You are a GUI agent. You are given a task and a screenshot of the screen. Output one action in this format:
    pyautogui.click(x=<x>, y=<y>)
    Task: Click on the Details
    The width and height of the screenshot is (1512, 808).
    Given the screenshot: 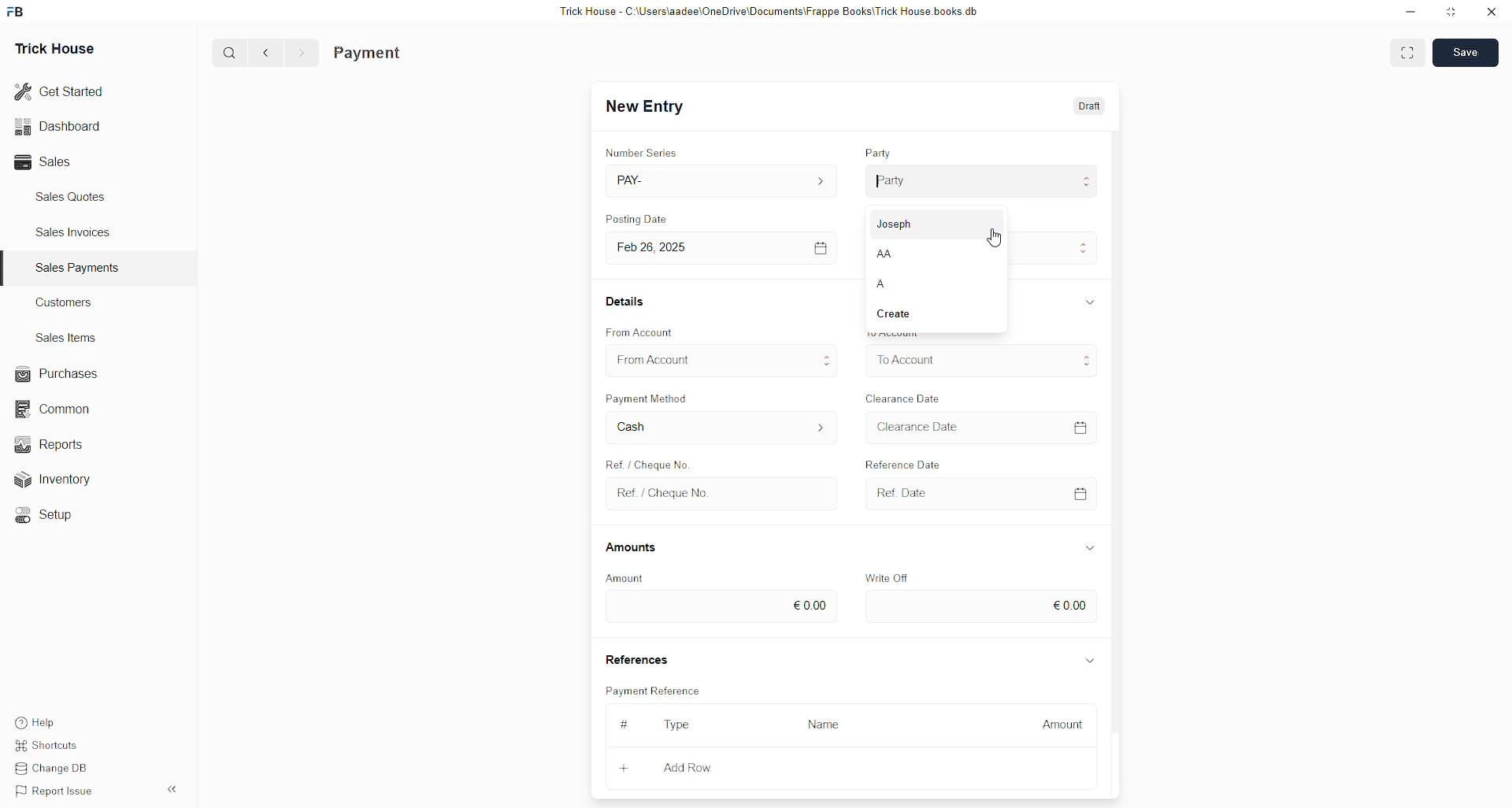 What is the action you would take?
    pyautogui.click(x=627, y=301)
    